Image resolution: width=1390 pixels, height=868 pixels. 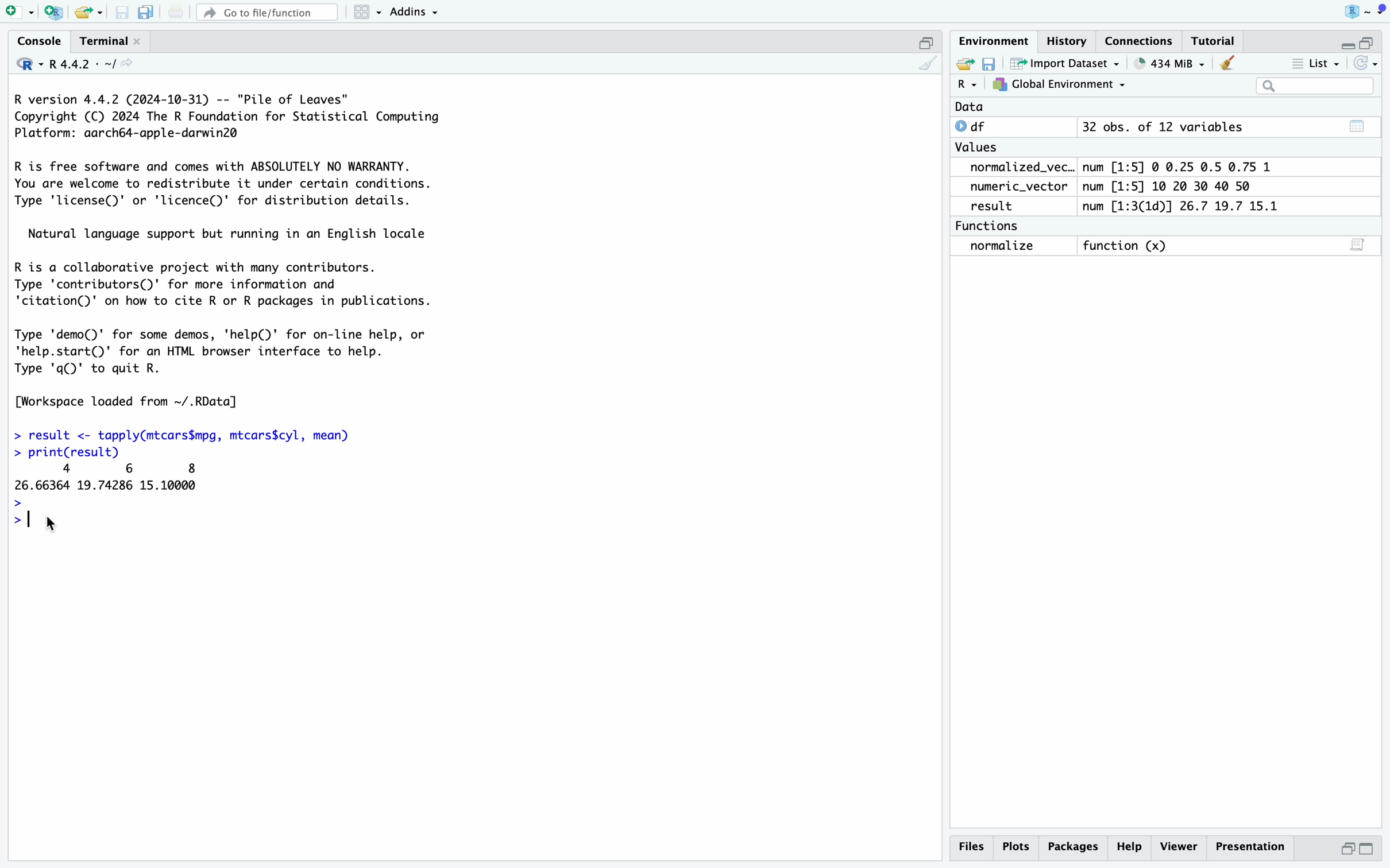 What do you see at coordinates (39, 40) in the screenshot?
I see `Console` at bounding box center [39, 40].